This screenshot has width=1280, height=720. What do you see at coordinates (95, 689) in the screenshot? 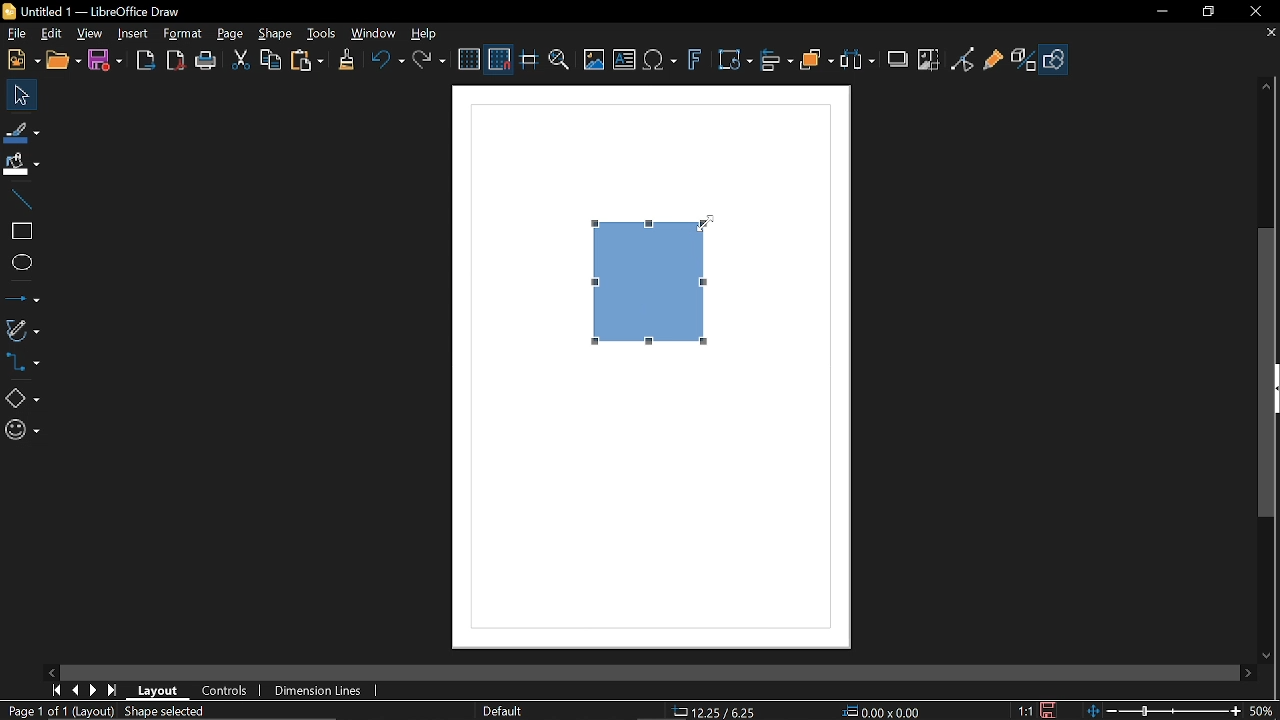
I see `next page` at bounding box center [95, 689].